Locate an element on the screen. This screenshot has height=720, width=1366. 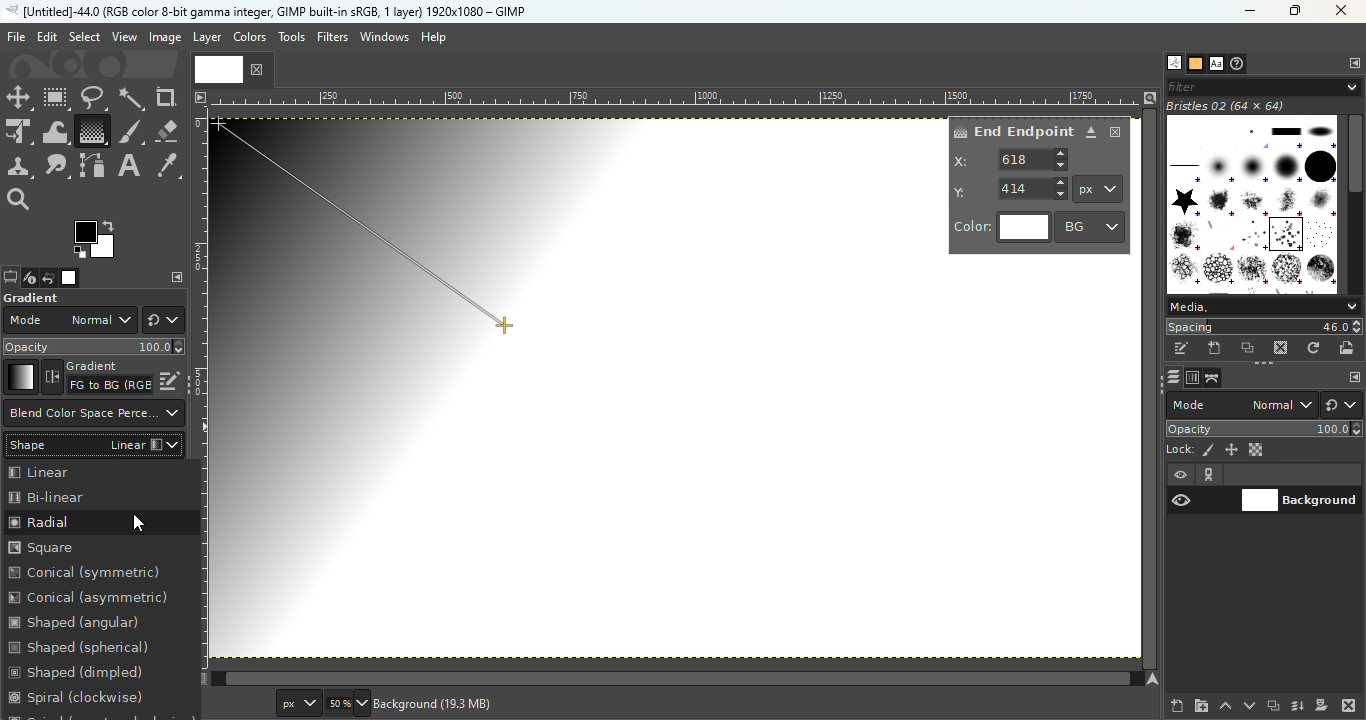
Media is located at coordinates (1262, 307).